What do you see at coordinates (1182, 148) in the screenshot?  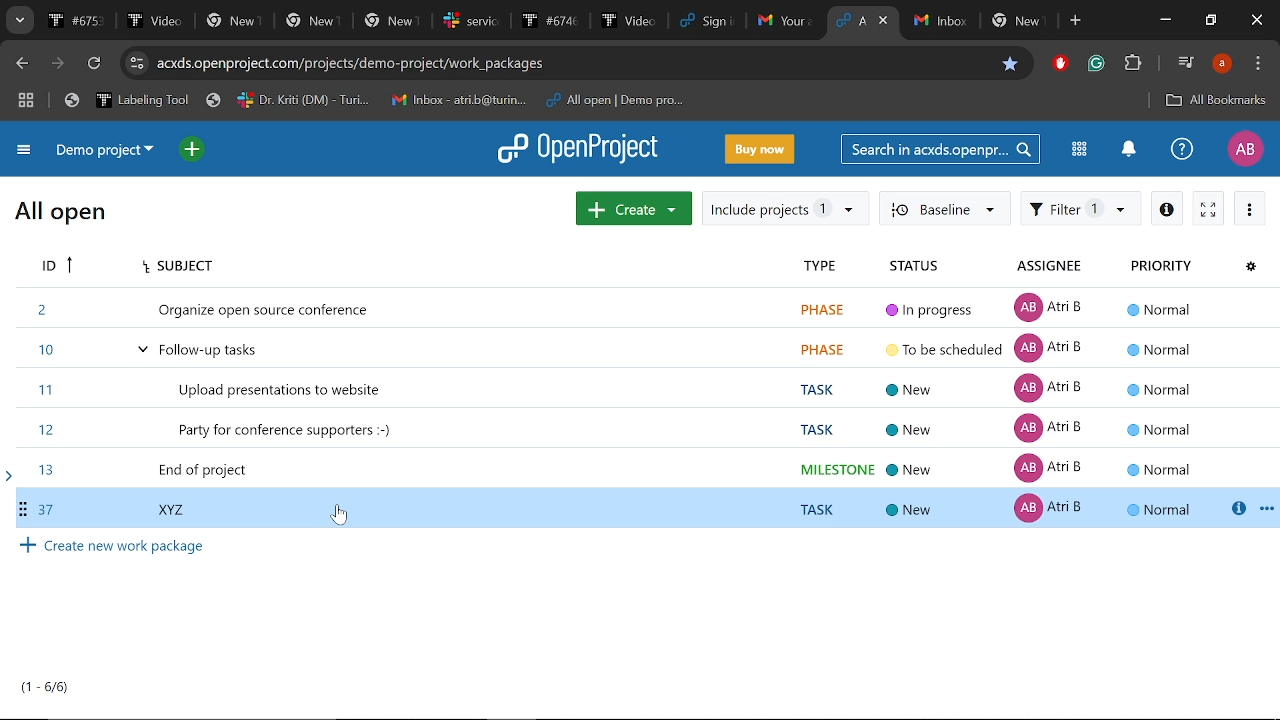 I see `Help` at bounding box center [1182, 148].